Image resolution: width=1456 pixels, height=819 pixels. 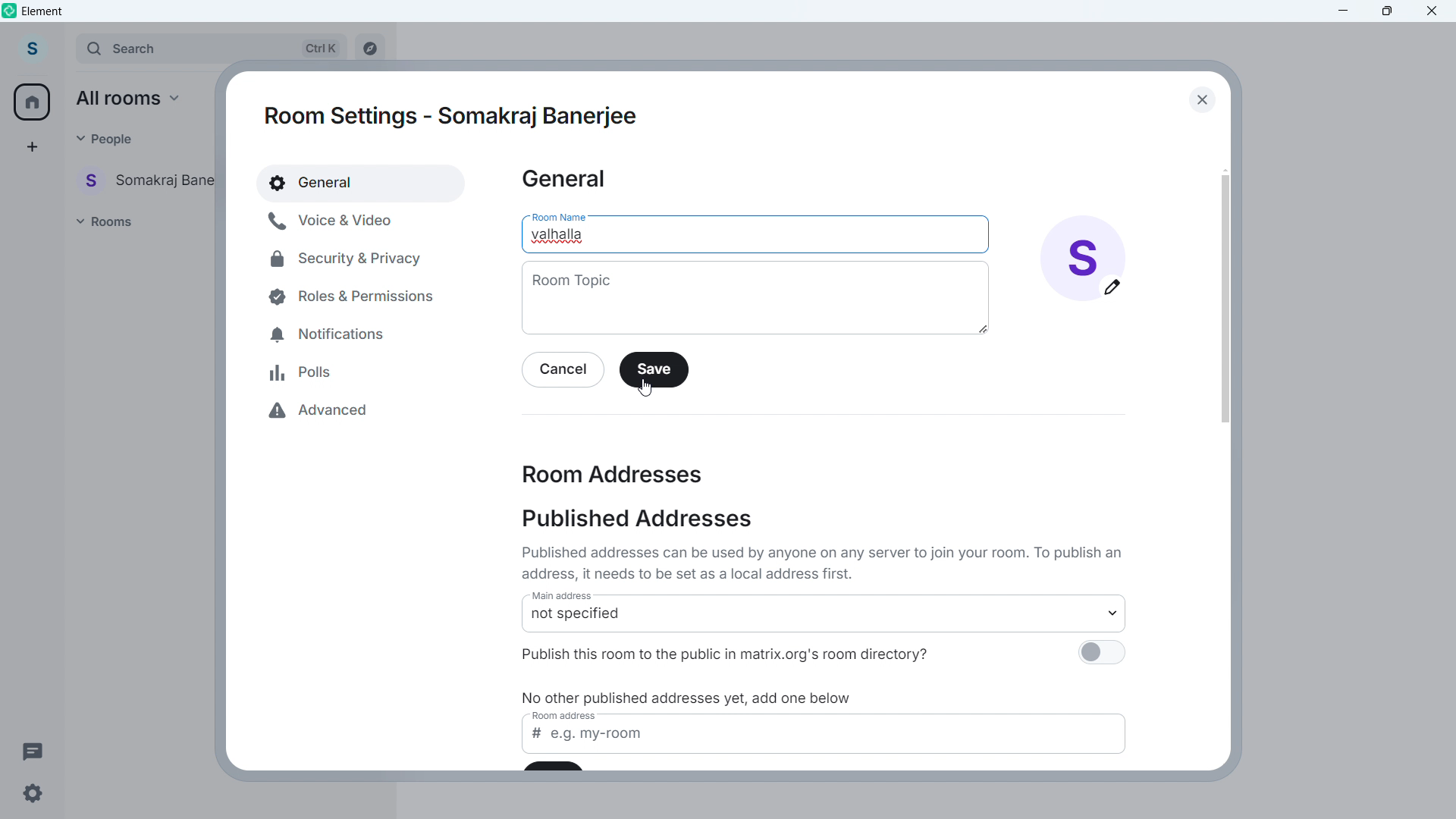 What do you see at coordinates (32, 797) in the screenshot?
I see `Settings ` at bounding box center [32, 797].